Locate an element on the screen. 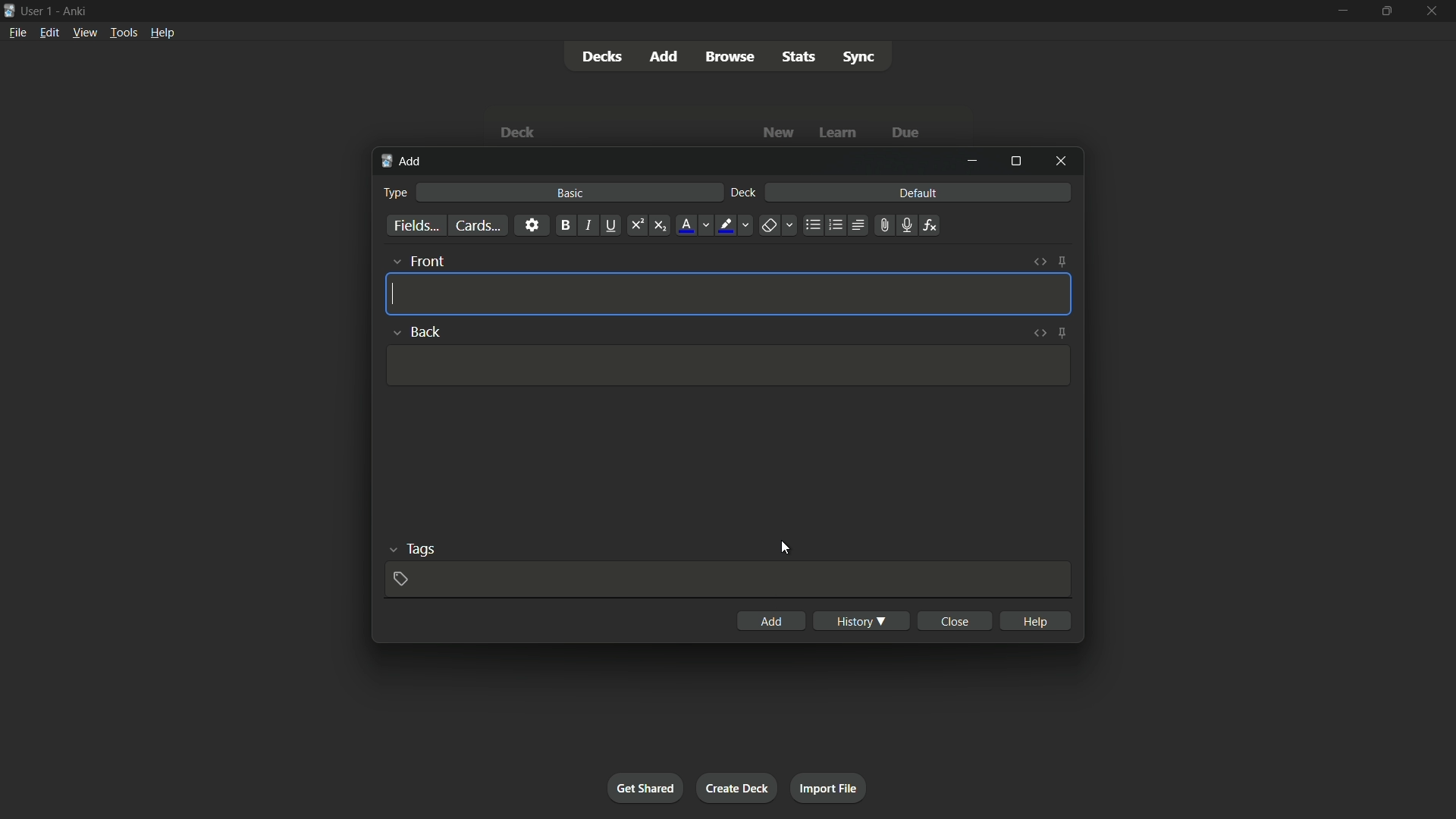  new is located at coordinates (777, 134).